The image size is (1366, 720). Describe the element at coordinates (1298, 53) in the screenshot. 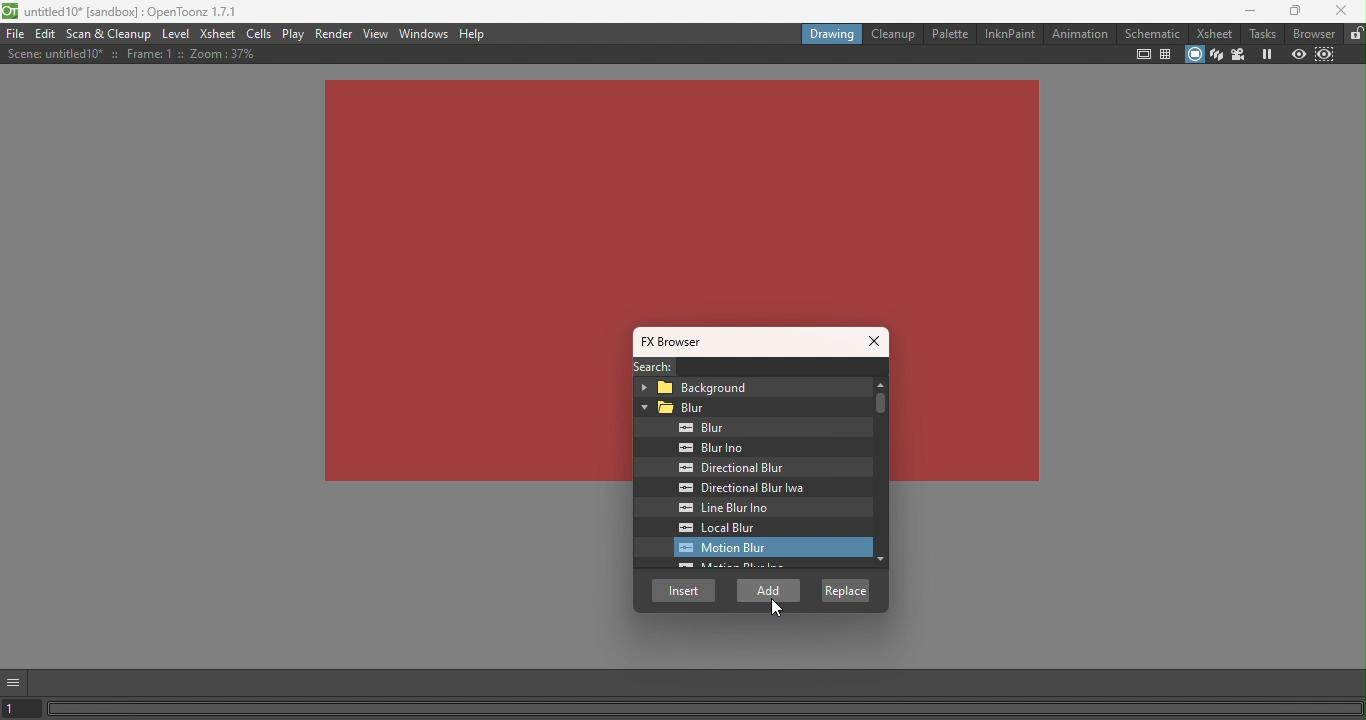

I see `Preview` at that location.